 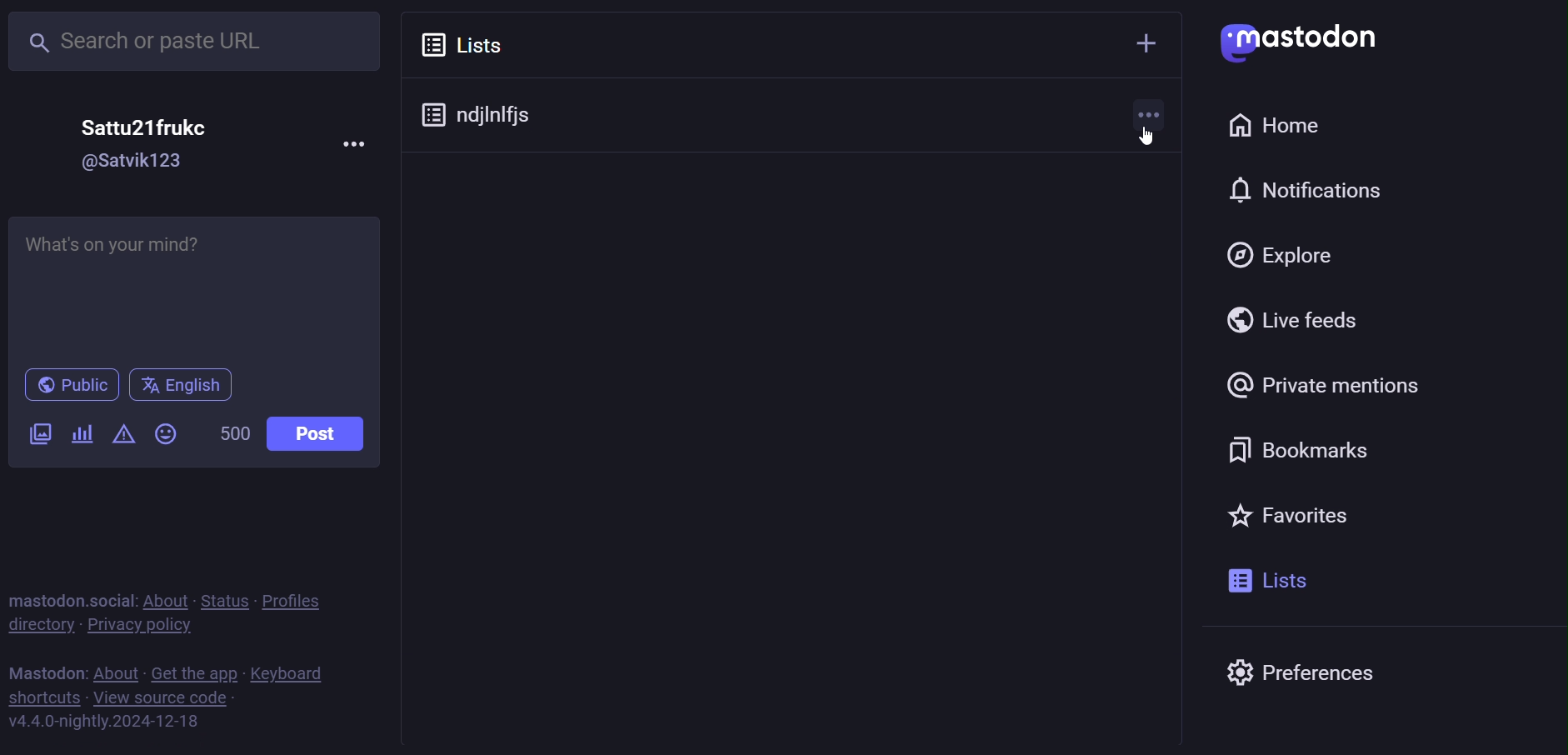 What do you see at coordinates (167, 698) in the screenshot?
I see `view source code` at bounding box center [167, 698].